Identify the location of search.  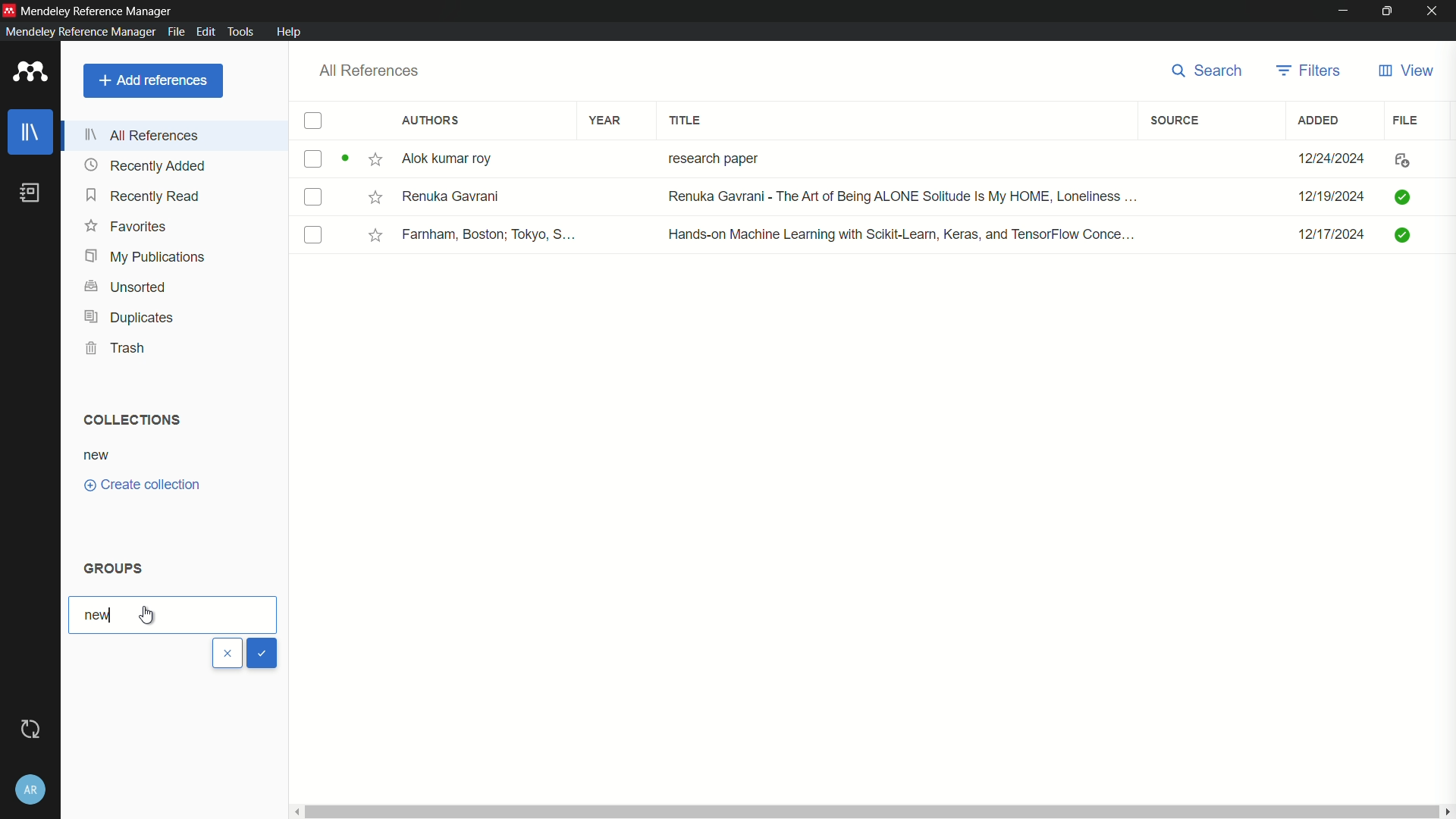
(1202, 71).